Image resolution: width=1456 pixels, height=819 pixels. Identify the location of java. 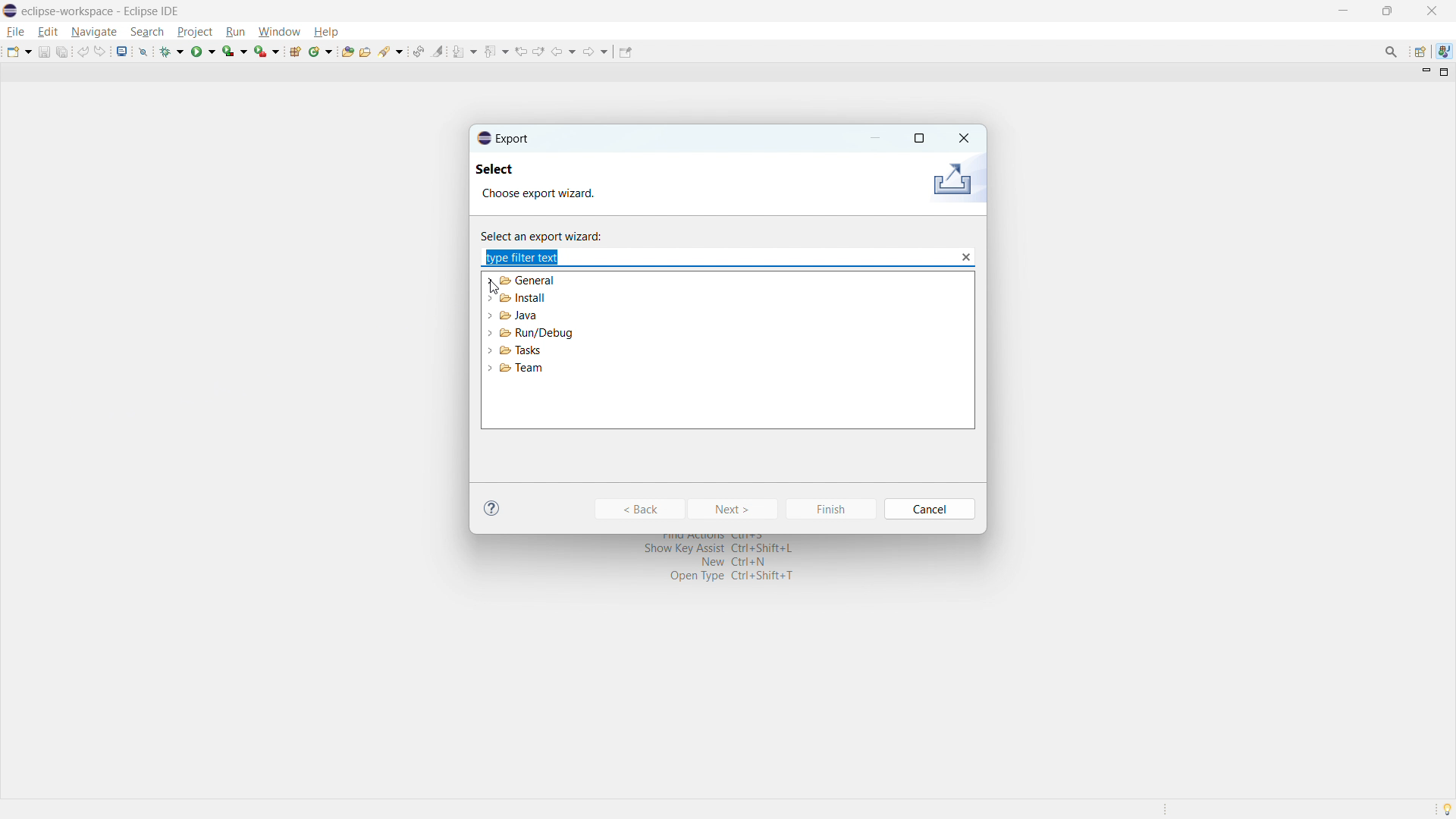
(1444, 50).